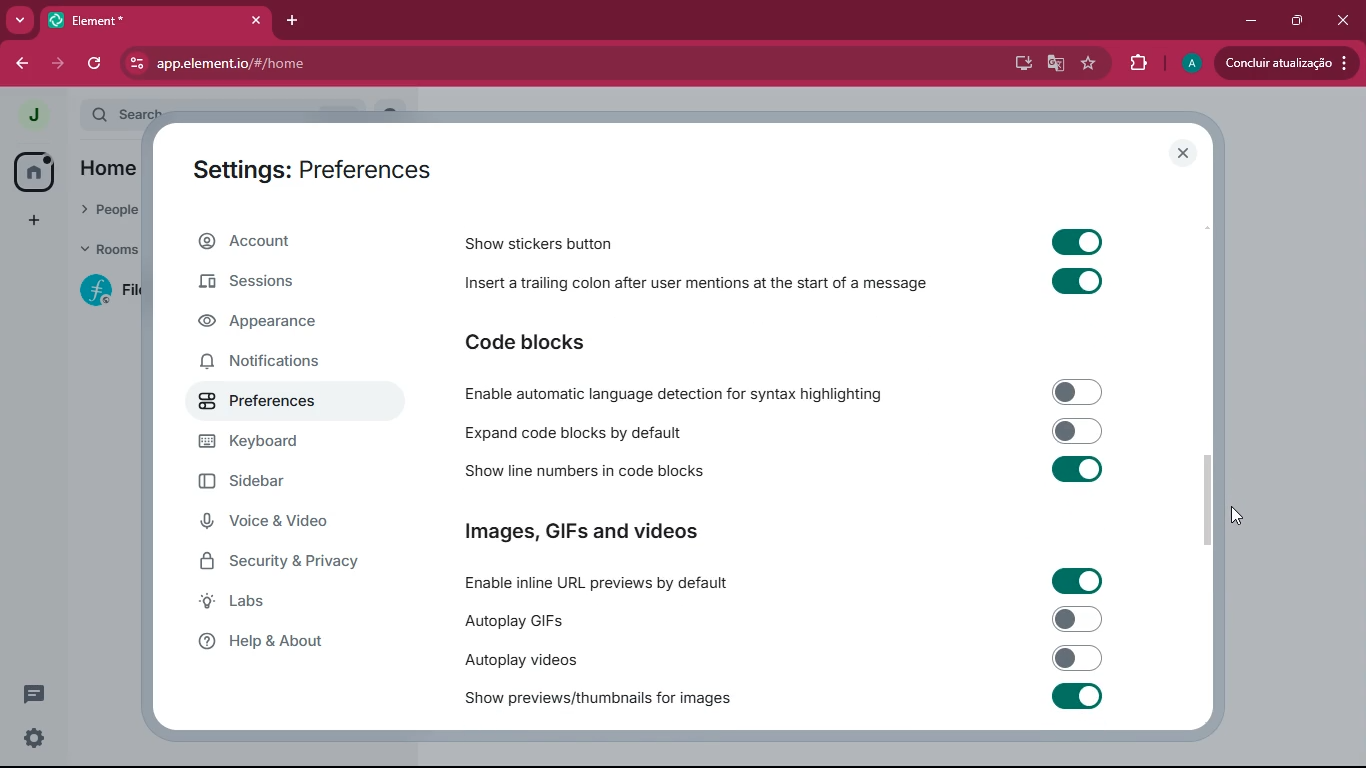  Describe the element at coordinates (1079, 430) in the screenshot. I see `` at that location.